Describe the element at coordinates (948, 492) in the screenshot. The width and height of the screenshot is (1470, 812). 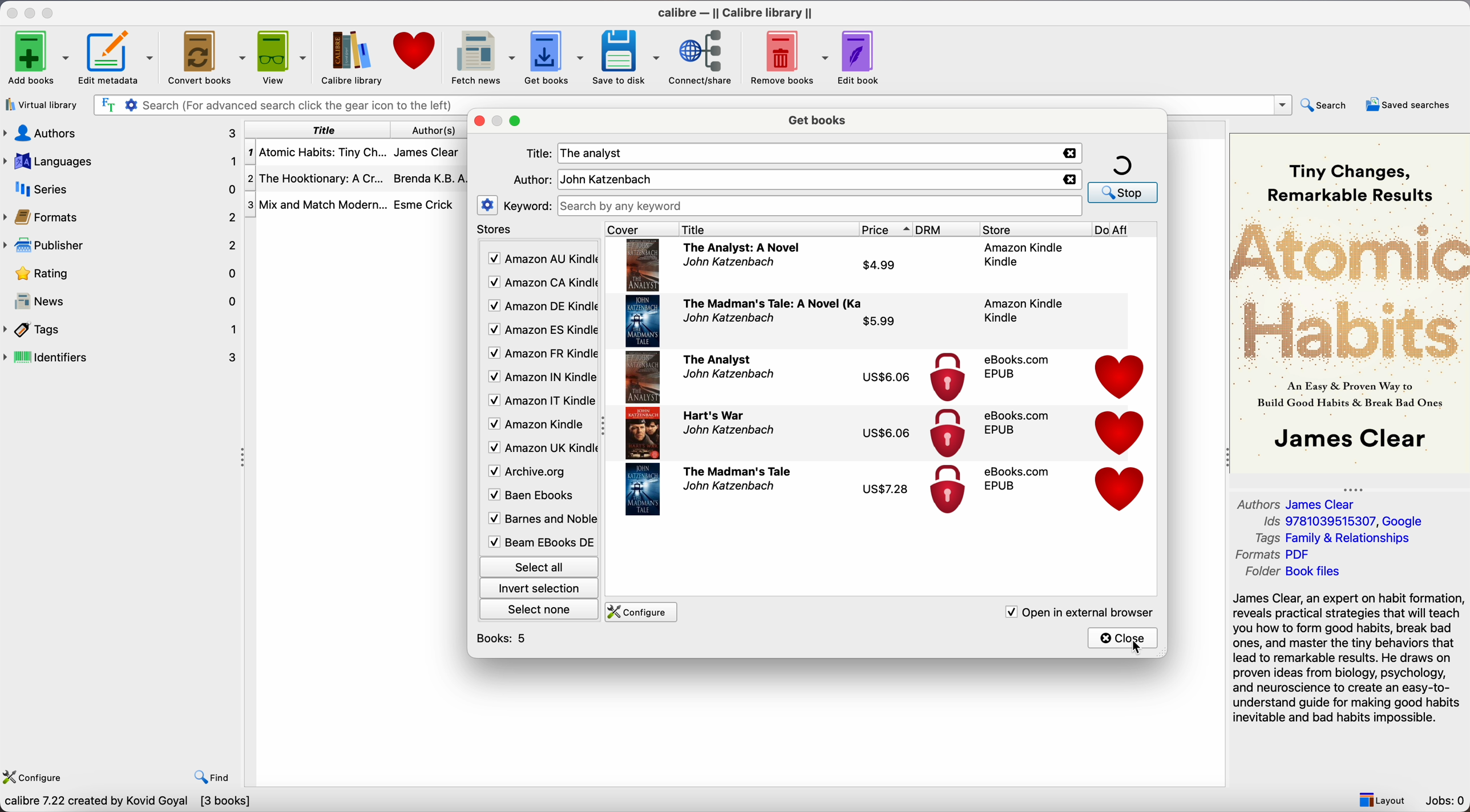
I see `icon` at that location.